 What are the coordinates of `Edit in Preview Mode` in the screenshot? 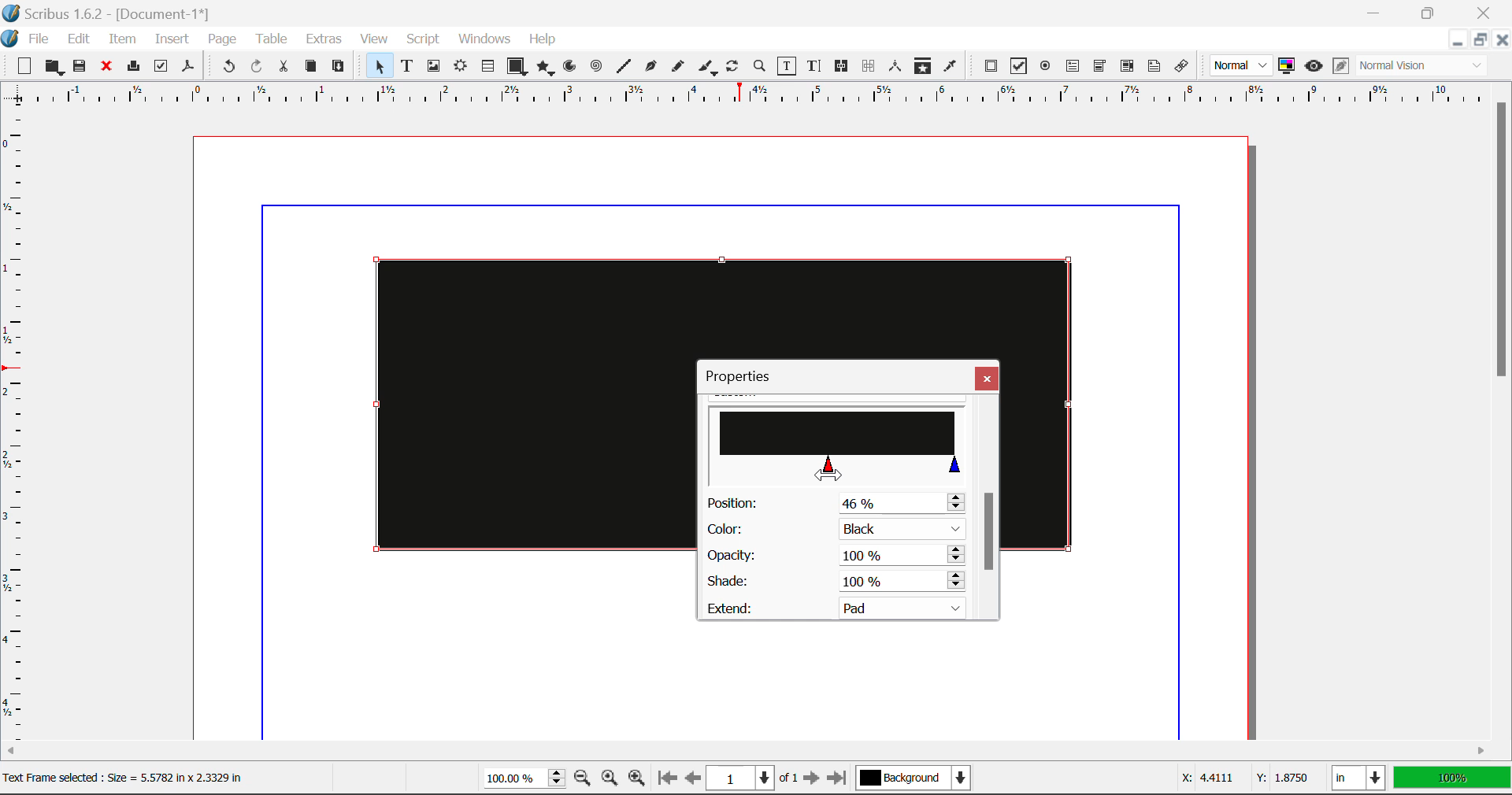 It's located at (1341, 66).